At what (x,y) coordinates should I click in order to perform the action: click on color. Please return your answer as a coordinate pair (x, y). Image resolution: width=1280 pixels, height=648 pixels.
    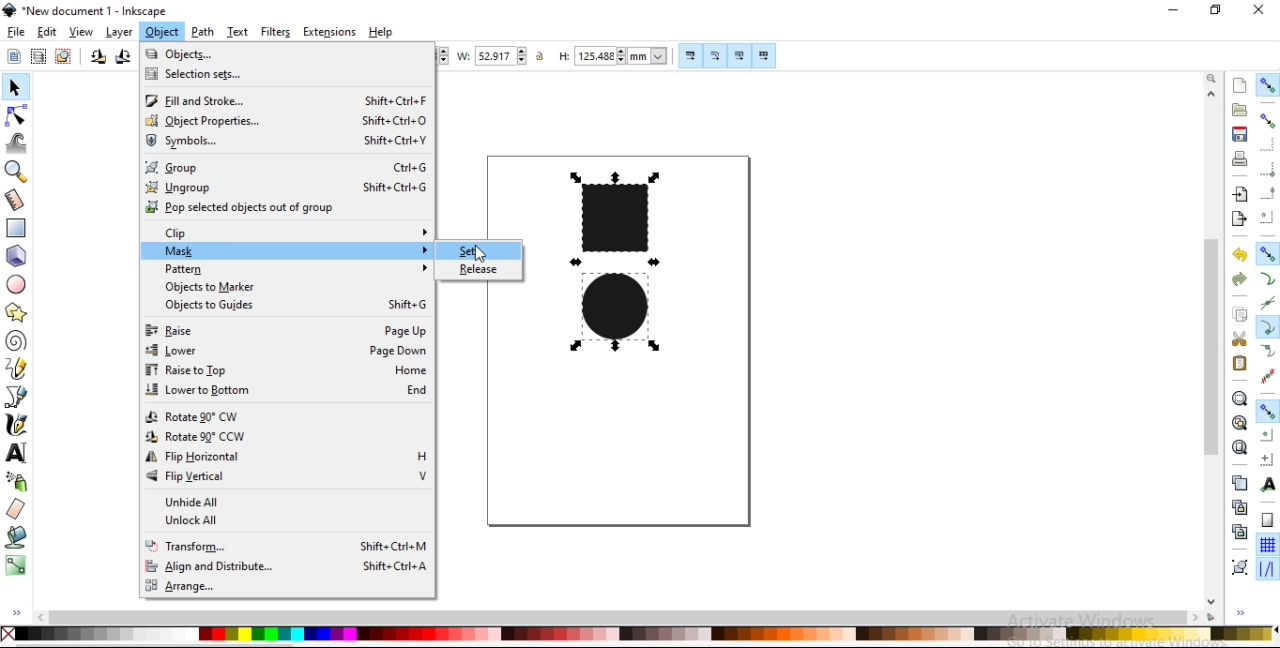
    Looking at the image, I should click on (639, 634).